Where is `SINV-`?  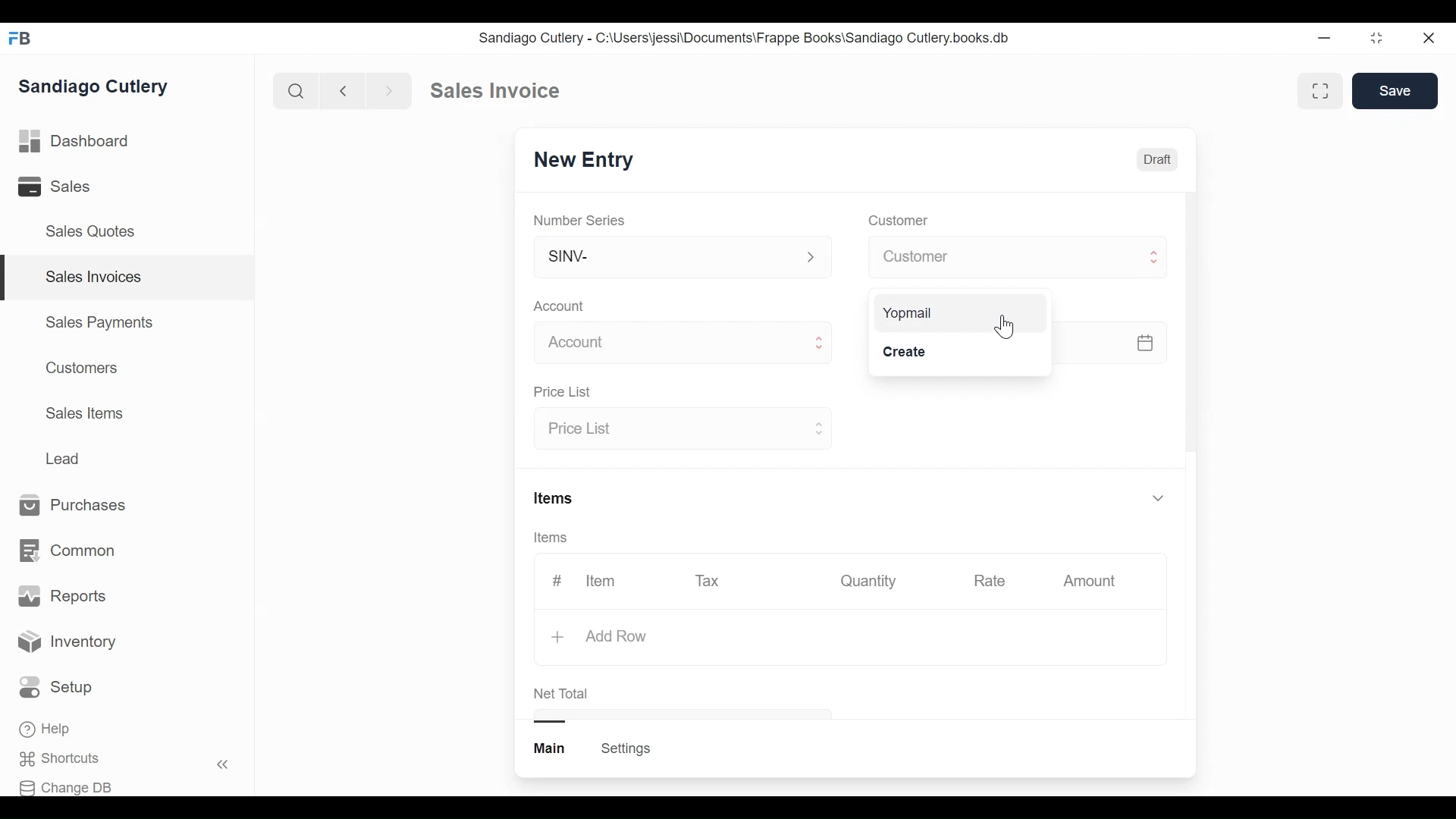
SINV- is located at coordinates (681, 260).